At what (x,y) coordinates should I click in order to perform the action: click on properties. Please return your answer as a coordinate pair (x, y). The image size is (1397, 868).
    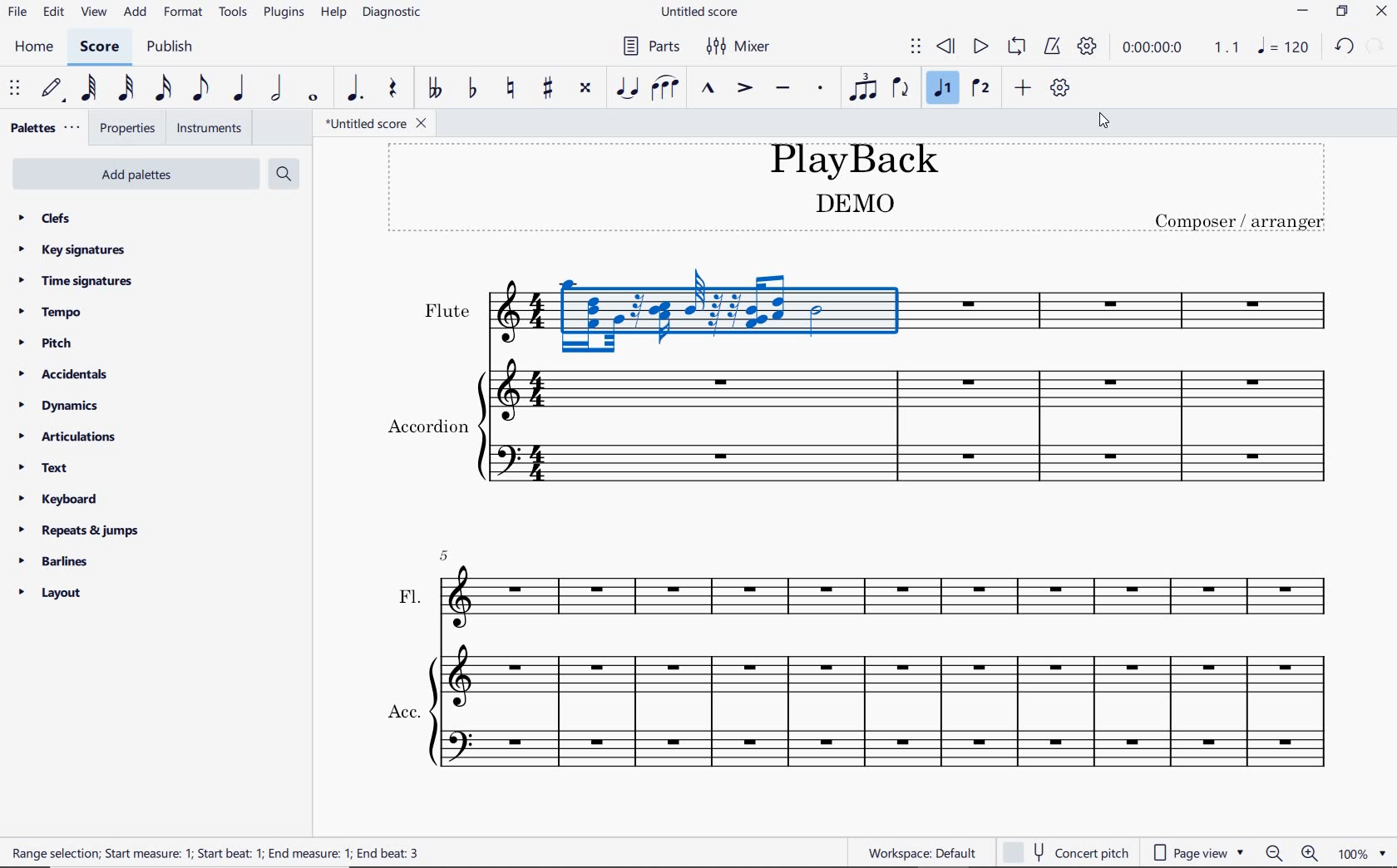
    Looking at the image, I should click on (131, 129).